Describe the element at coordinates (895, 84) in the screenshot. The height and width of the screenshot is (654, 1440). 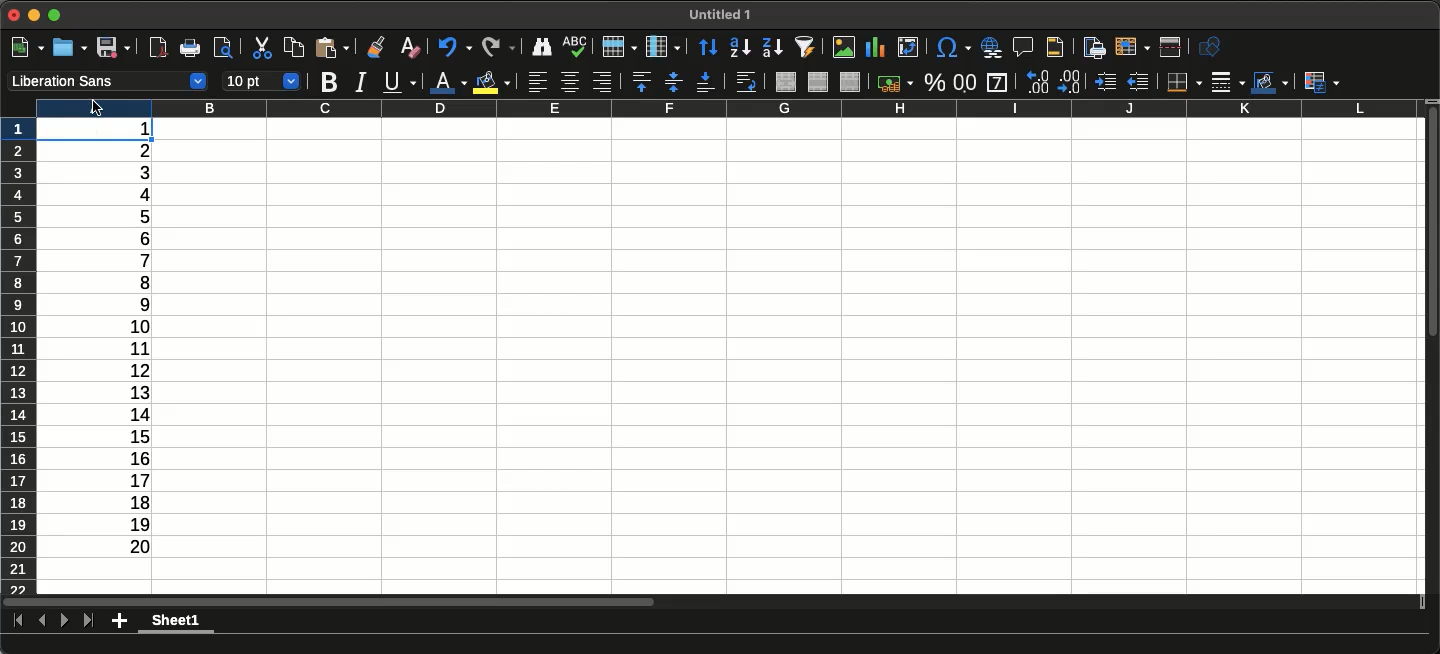
I see `Currency` at that location.